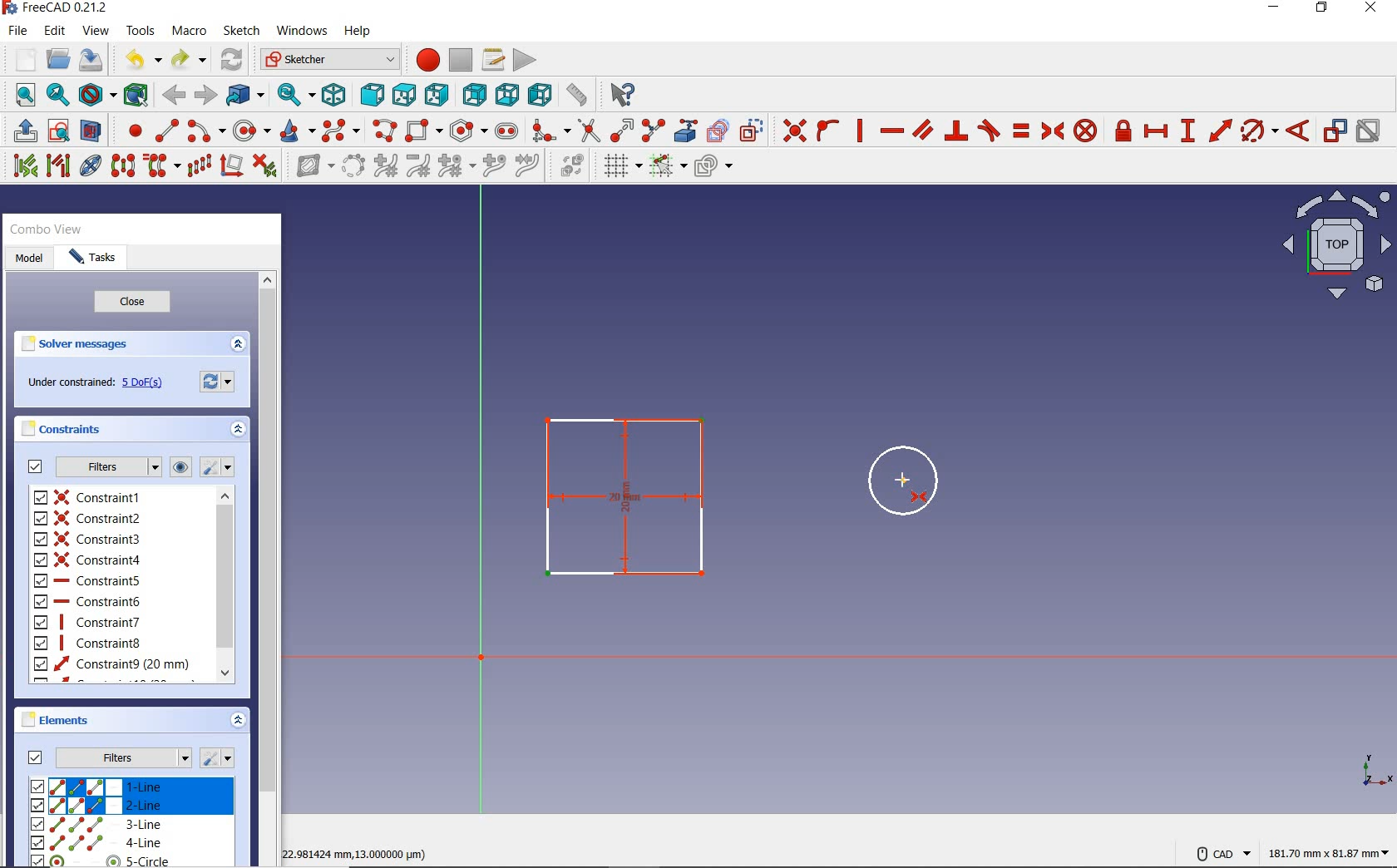 The width and height of the screenshot is (1397, 868). Describe the element at coordinates (225, 673) in the screenshot. I see `Scroll down` at that location.